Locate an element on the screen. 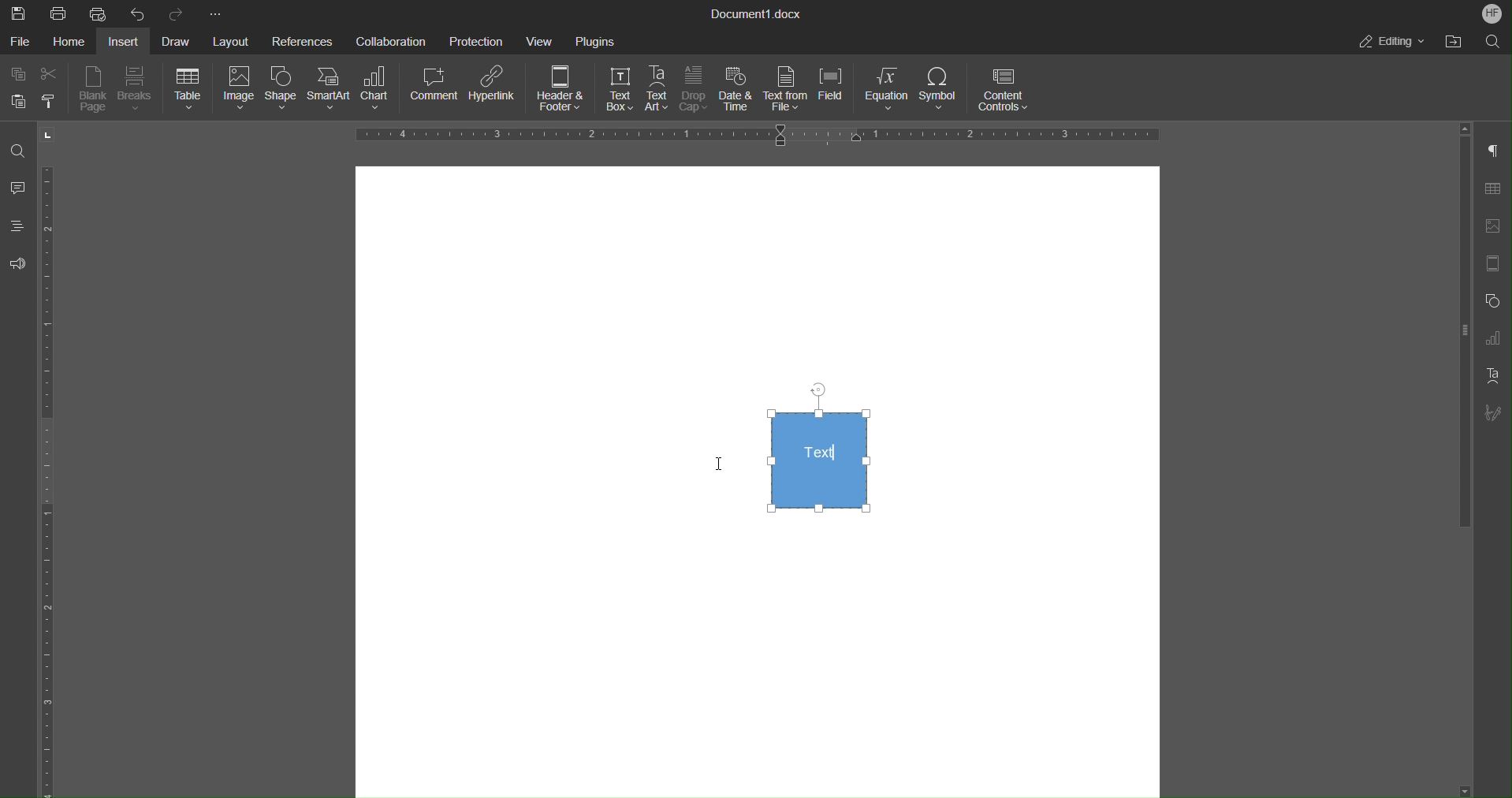  Undo is located at coordinates (138, 13).